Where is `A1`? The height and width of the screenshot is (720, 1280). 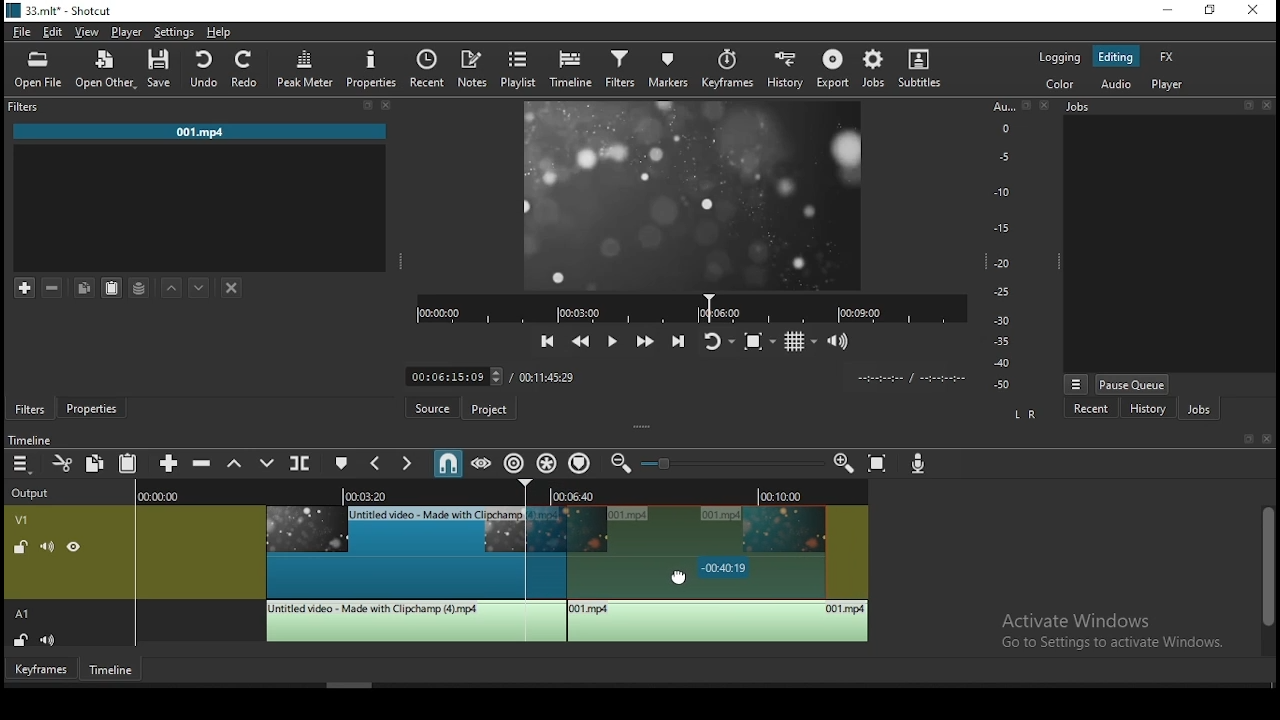
A1 is located at coordinates (29, 253).